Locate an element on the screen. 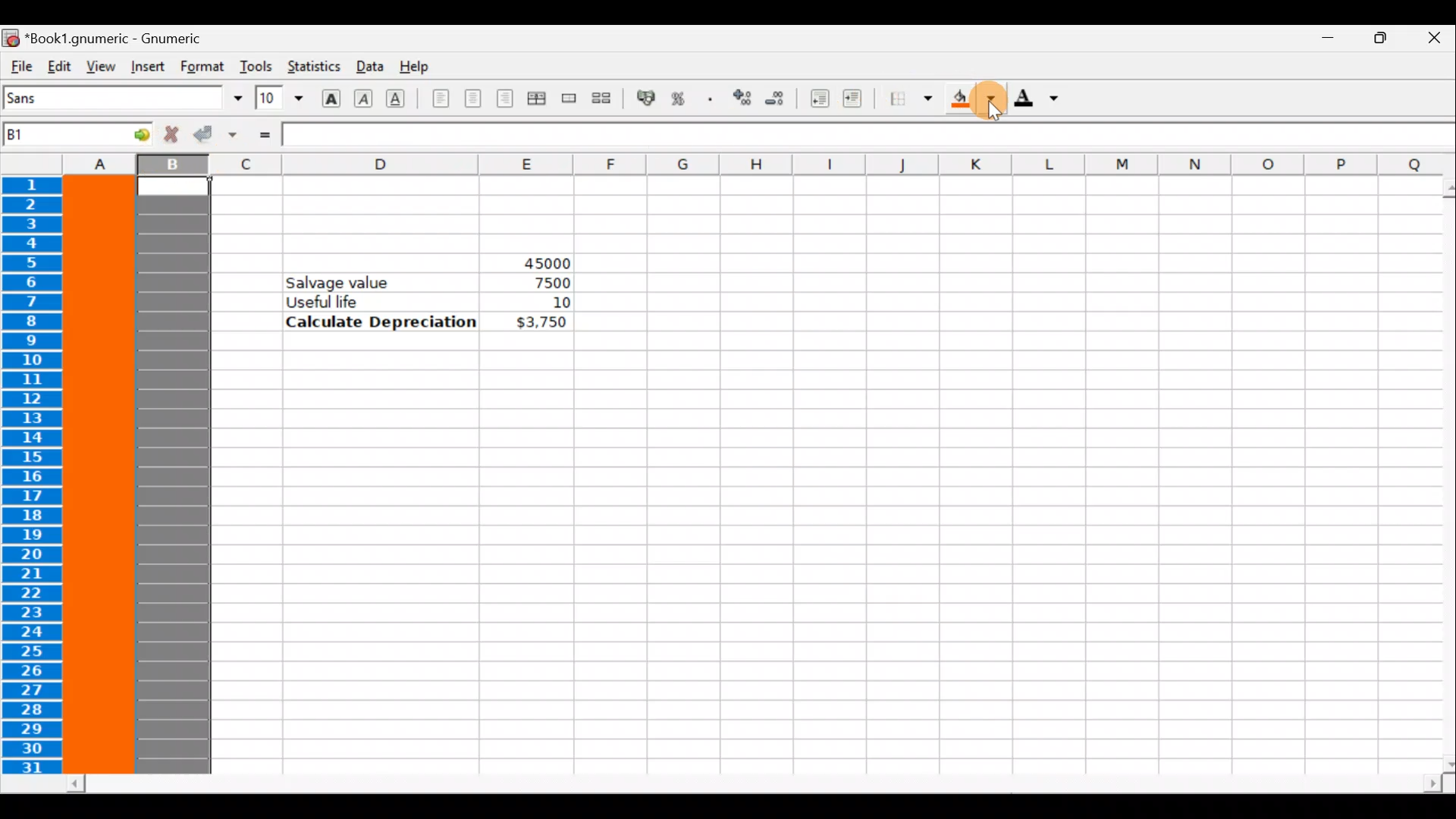 The height and width of the screenshot is (819, 1456). Decrease indent, align contents to the left is located at coordinates (815, 99).